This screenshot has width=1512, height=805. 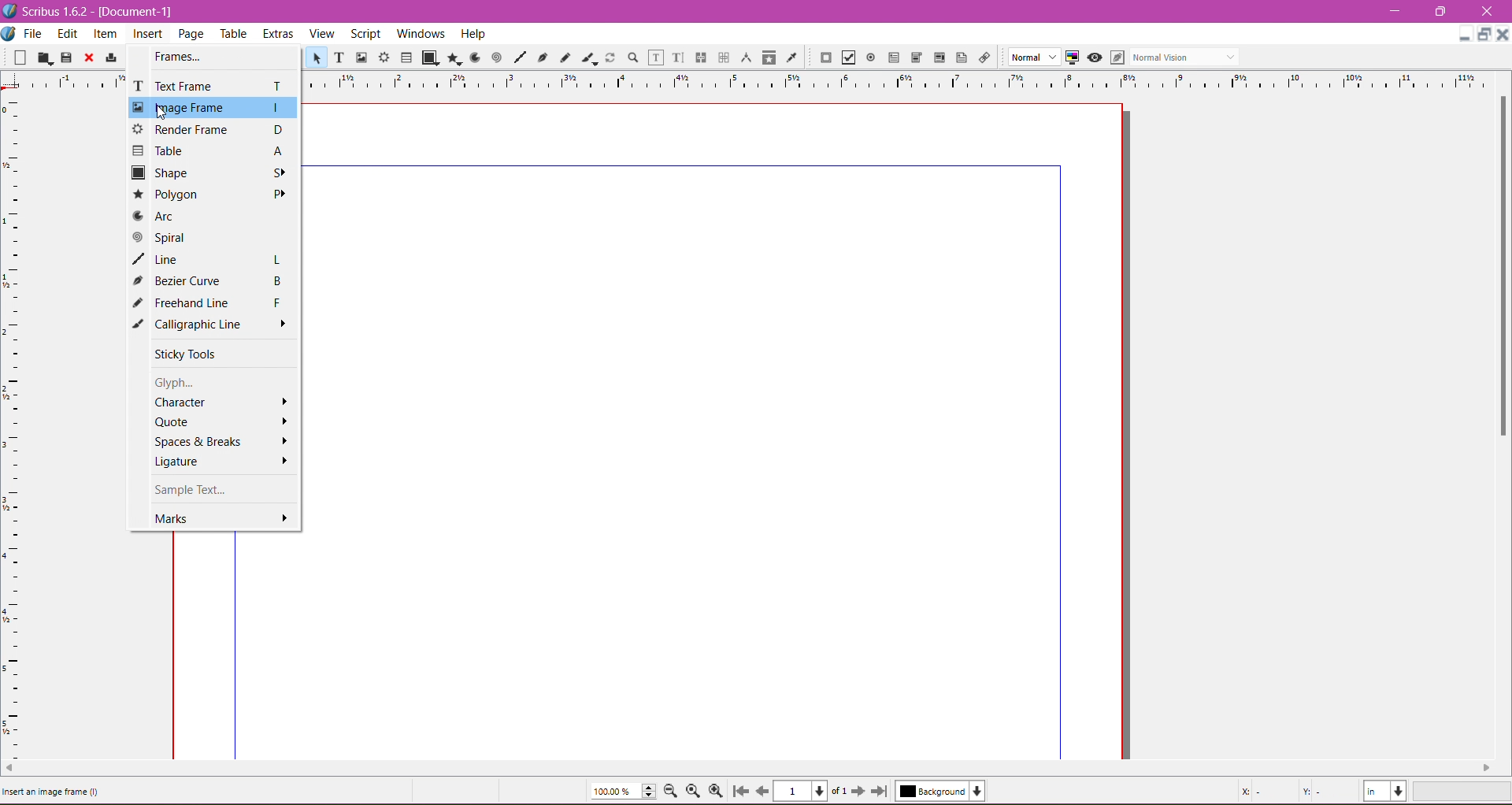 I want to click on Calligraphic Line, so click(x=213, y=325).